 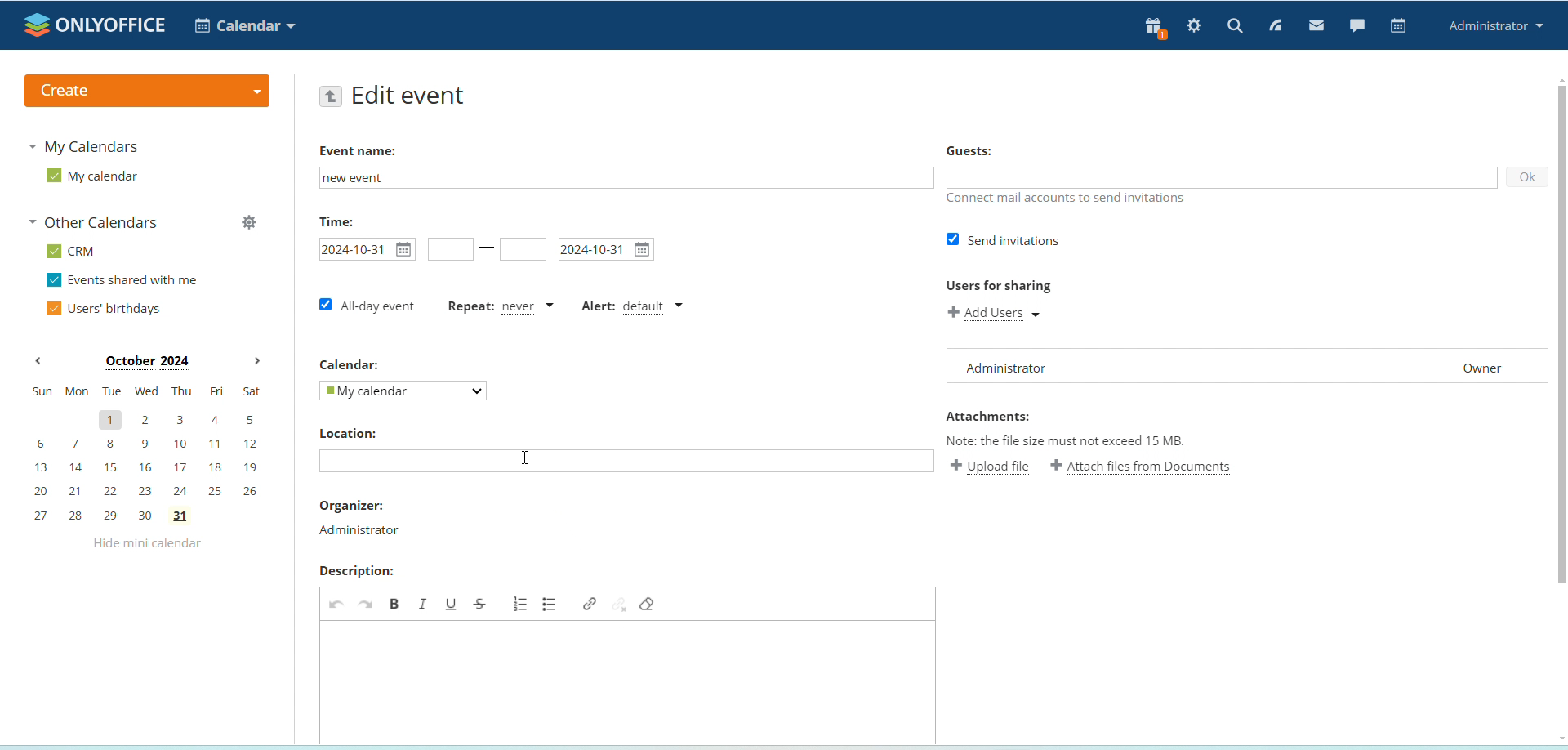 I want to click on bold, so click(x=394, y=603).